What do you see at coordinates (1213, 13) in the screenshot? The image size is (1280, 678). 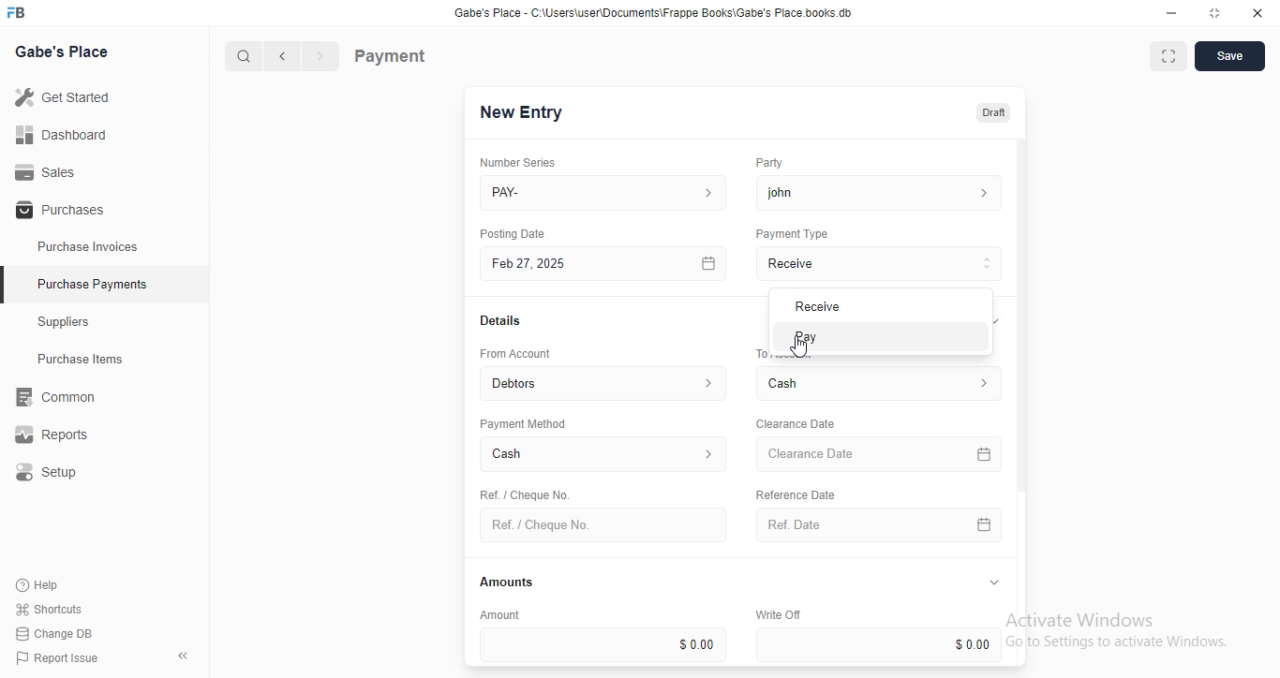 I see `resize` at bounding box center [1213, 13].